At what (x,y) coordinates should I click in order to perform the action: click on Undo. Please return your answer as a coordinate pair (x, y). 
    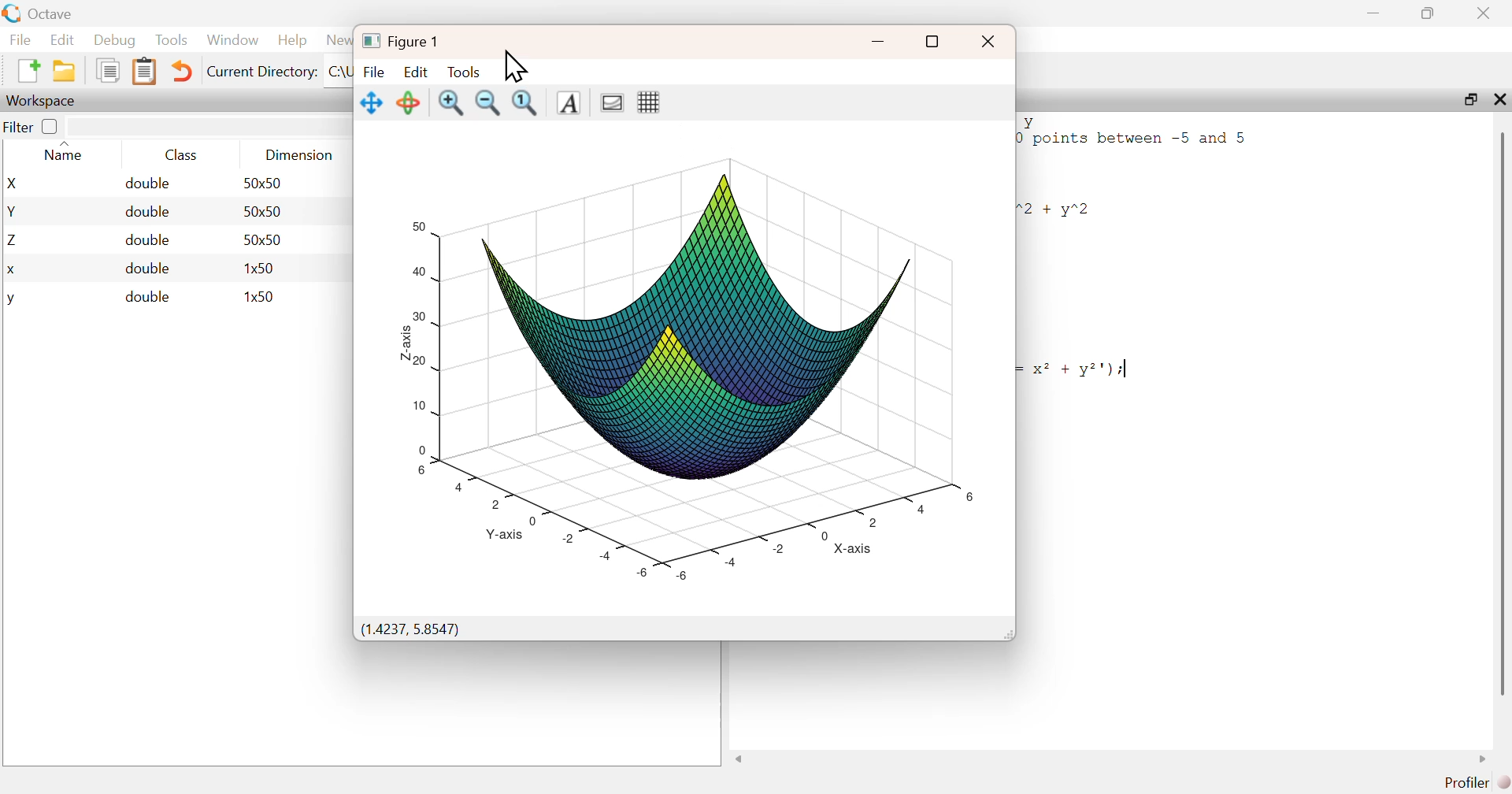
    Looking at the image, I should click on (180, 71).